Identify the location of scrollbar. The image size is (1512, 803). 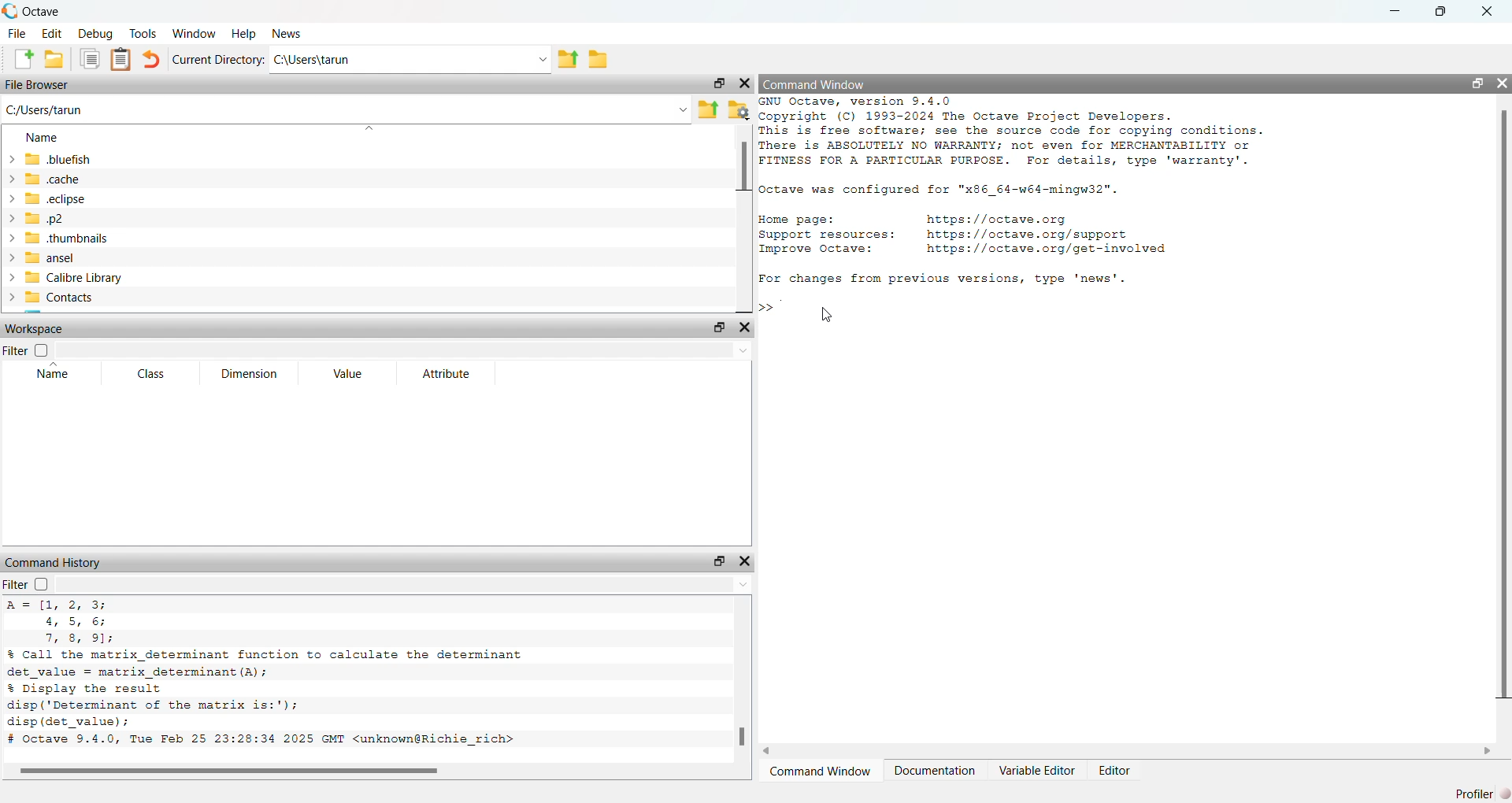
(741, 216).